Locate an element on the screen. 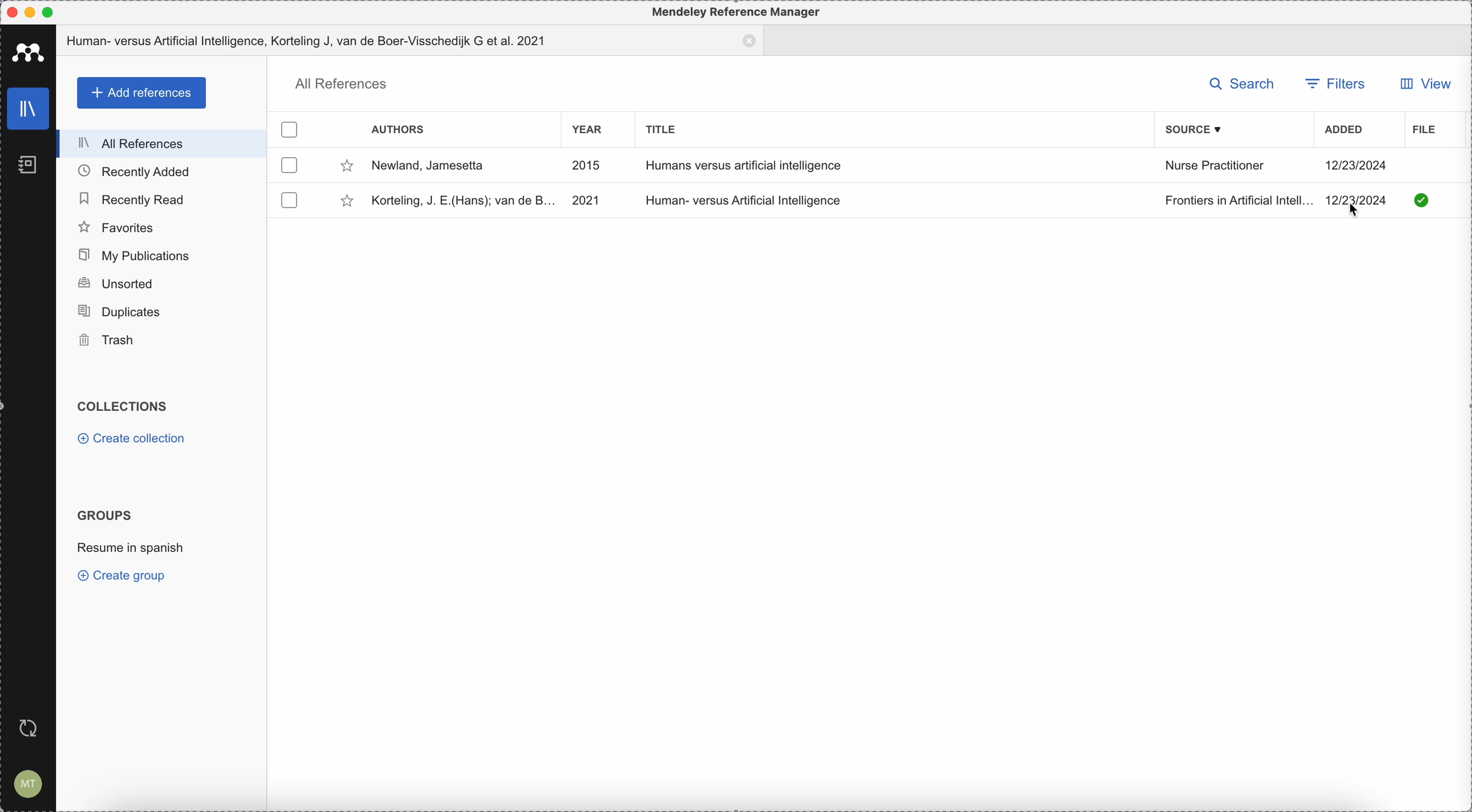  recently read is located at coordinates (161, 198).